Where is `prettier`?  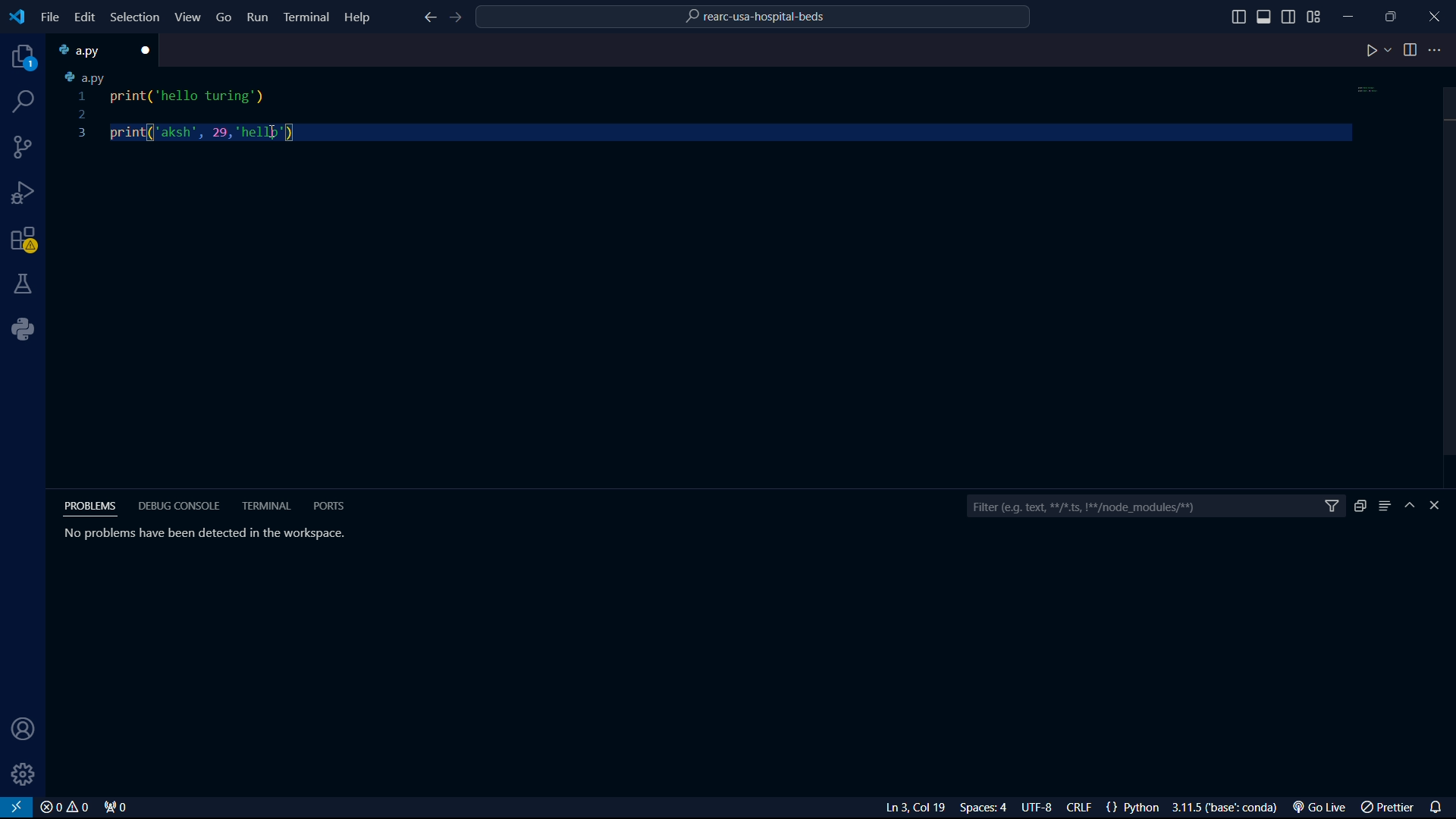
prettier is located at coordinates (1389, 808).